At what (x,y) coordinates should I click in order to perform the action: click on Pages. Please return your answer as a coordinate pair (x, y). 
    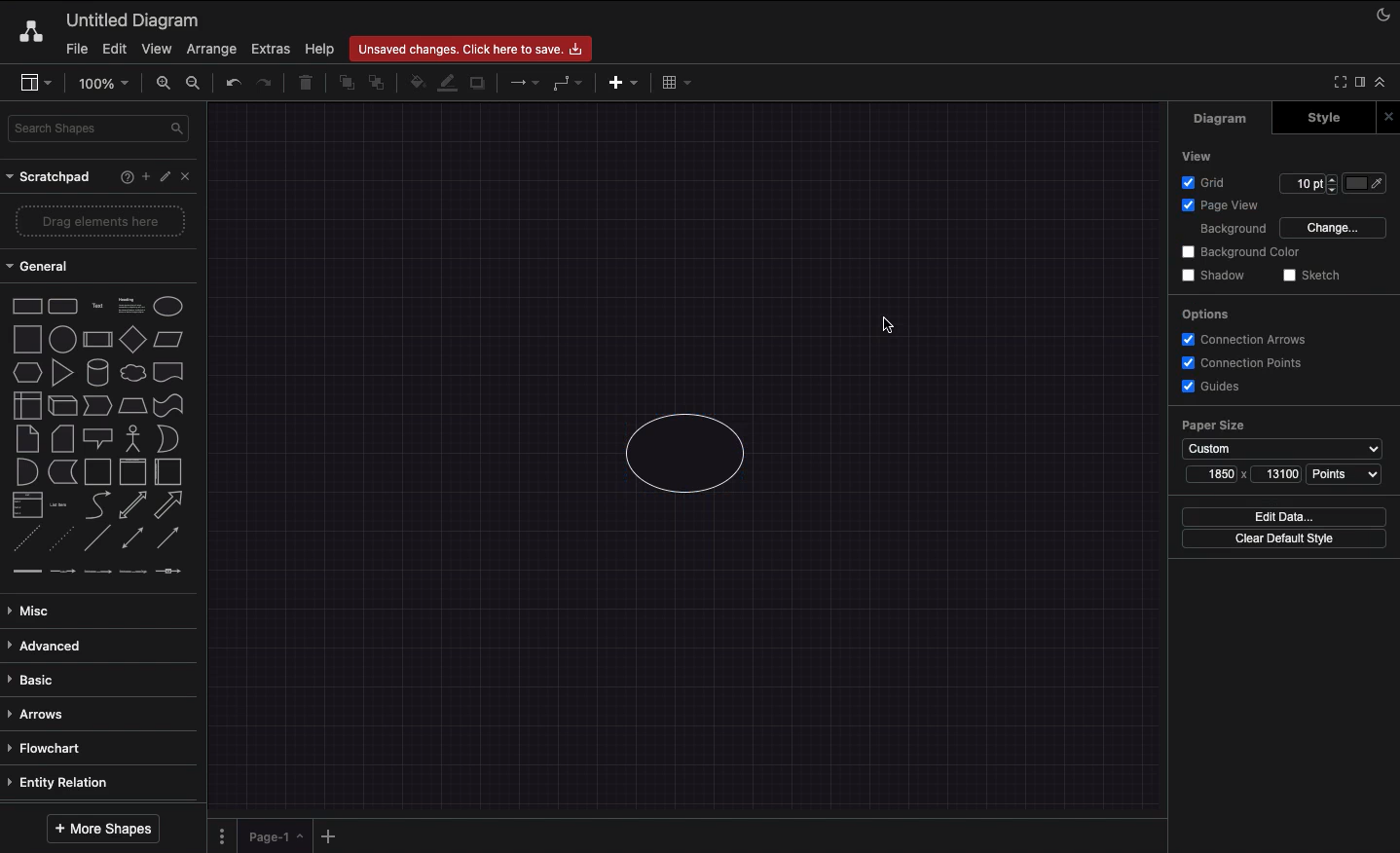
    Looking at the image, I should click on (218, 836).